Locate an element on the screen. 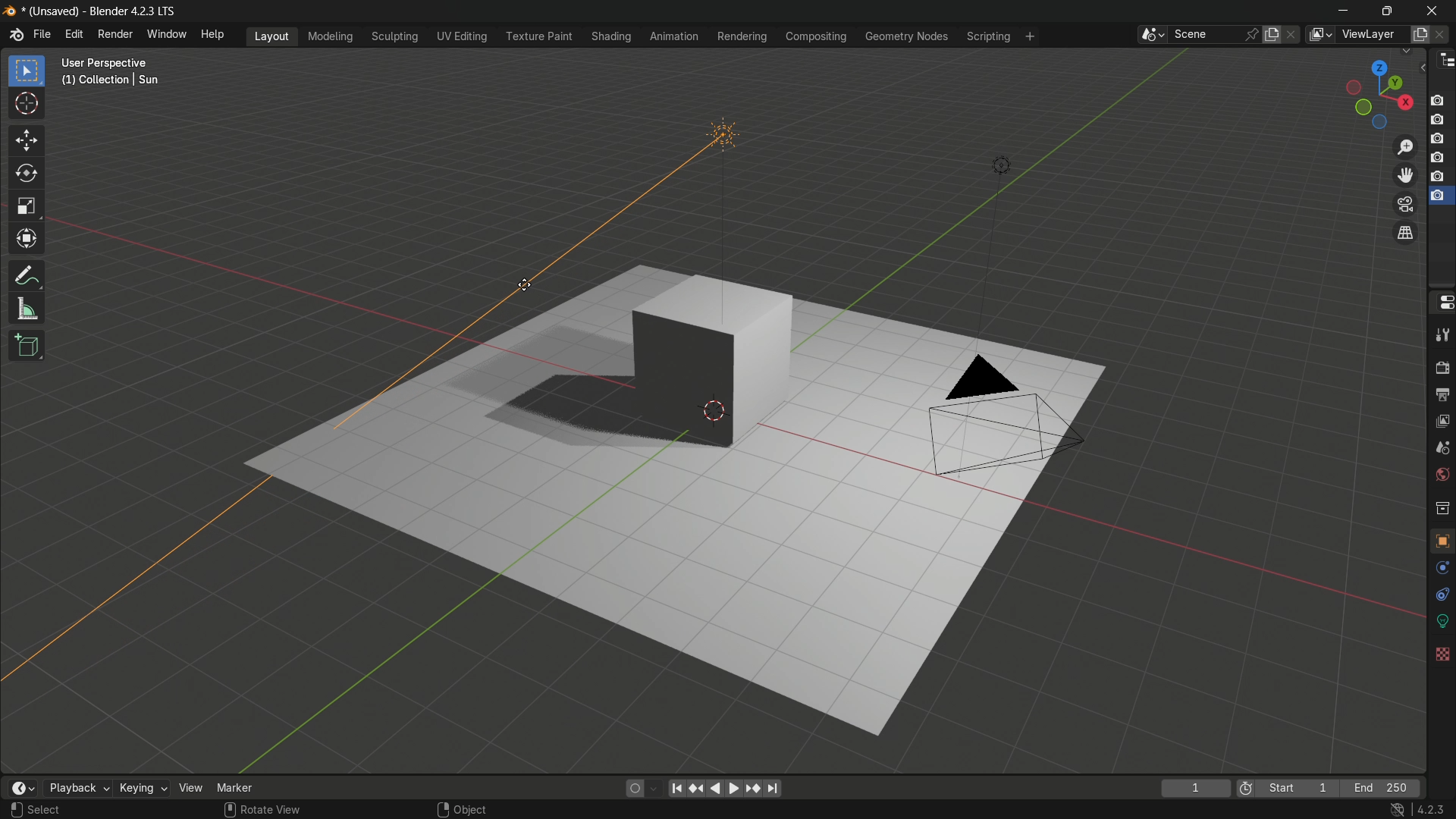 The height and width of the screenshot is (819, 1456). data is located at coordinates (1442, 620).